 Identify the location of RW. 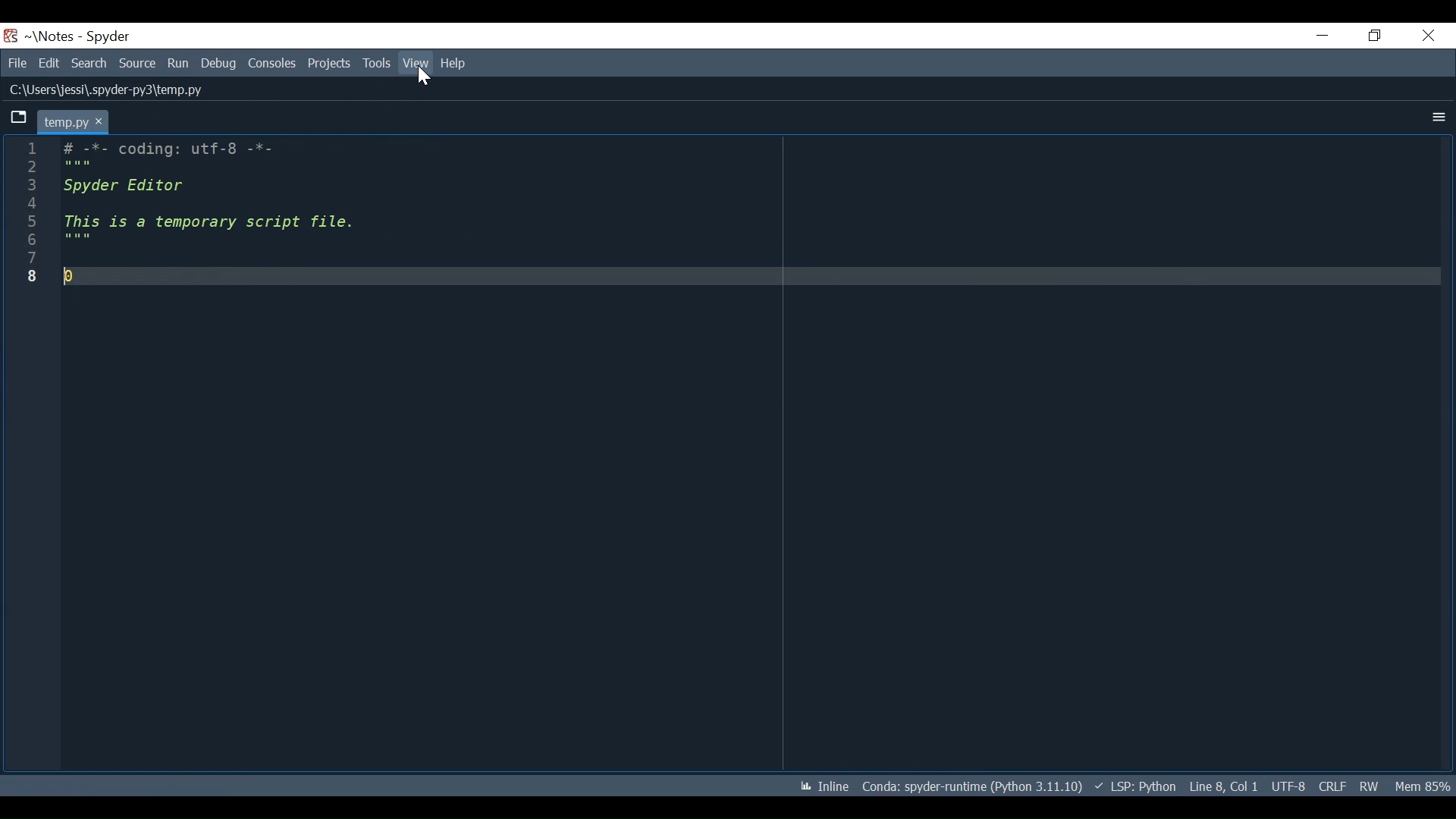
(1373, 787).